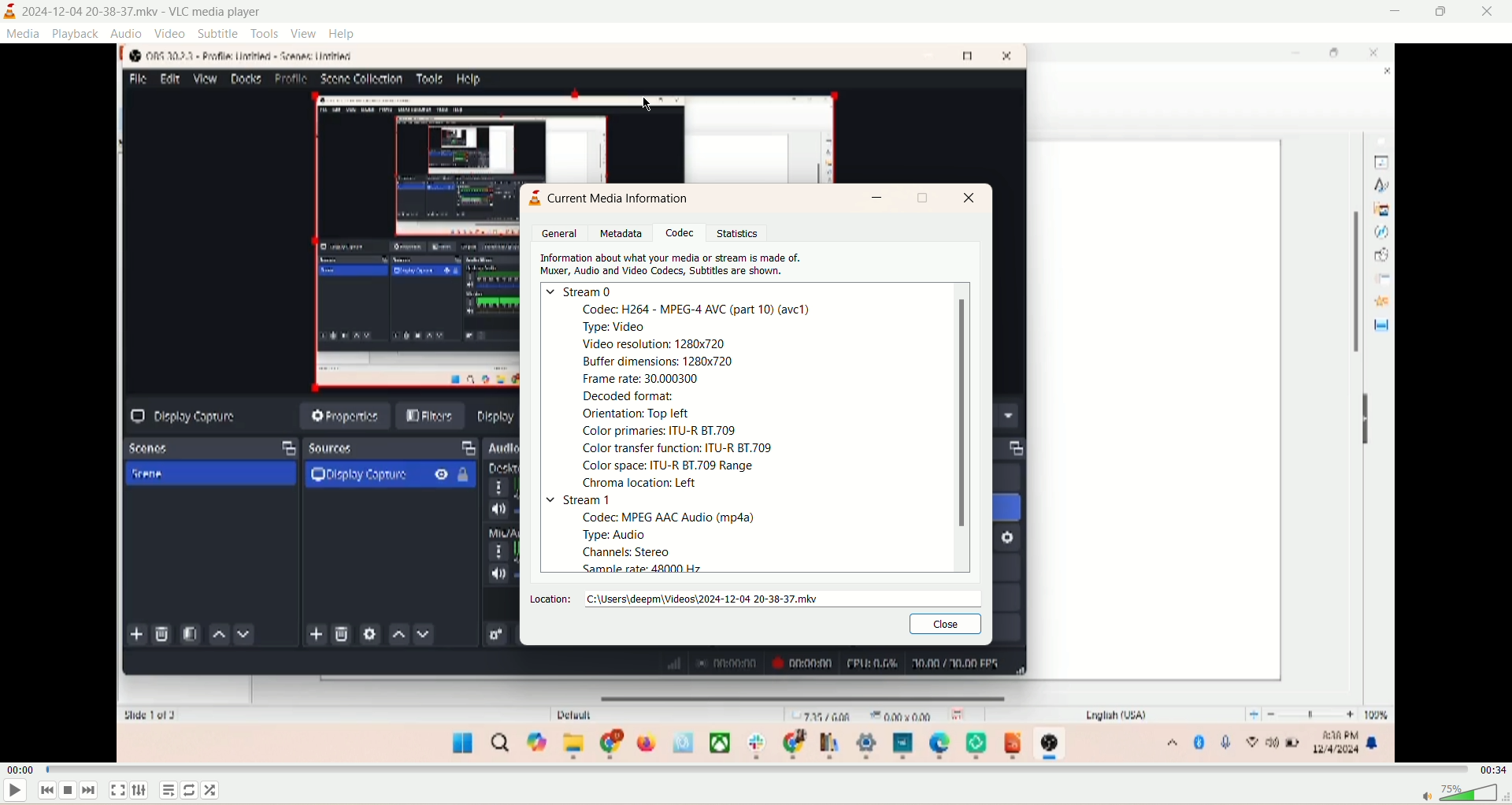 The height and width of the screenshot is (805, 1512). What do you see at coordinates (579, 501) in the screenshot?
I see `stream 1` at bounding box center [579, 501].